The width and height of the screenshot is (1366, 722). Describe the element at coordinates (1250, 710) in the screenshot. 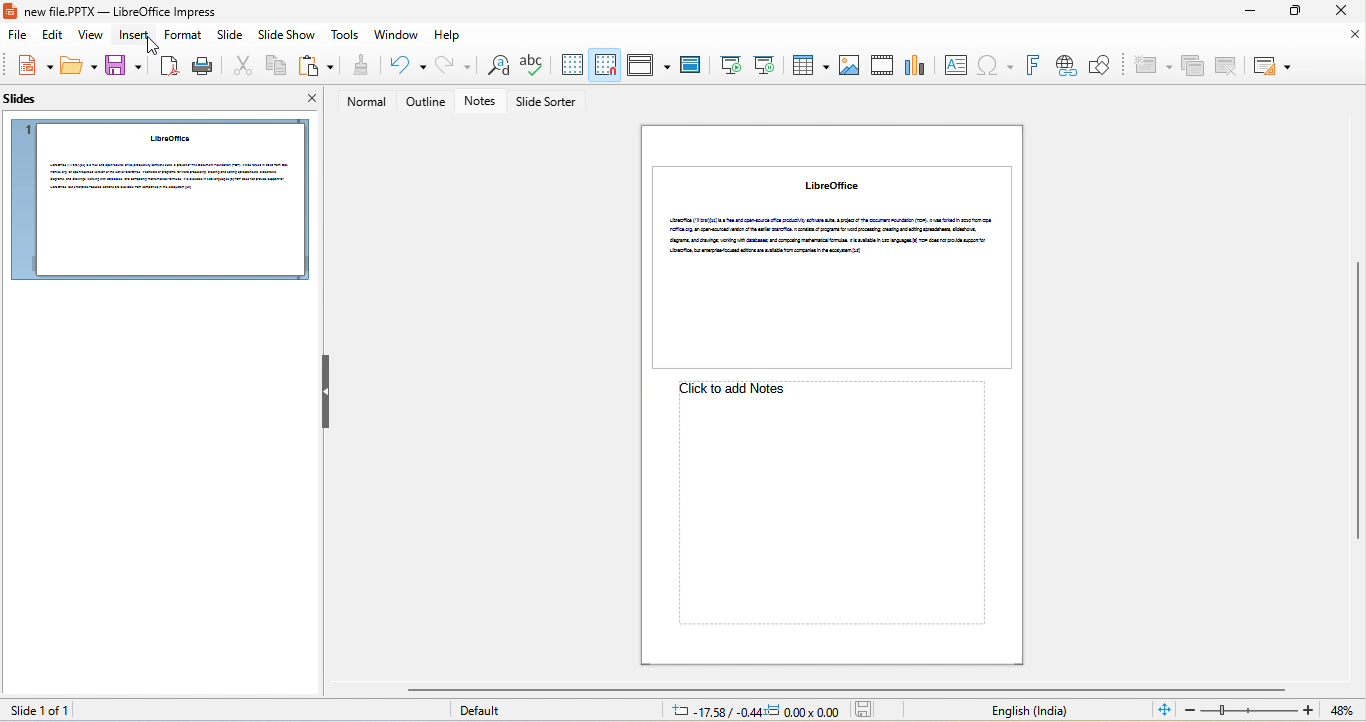

I see `zoom` at that location.